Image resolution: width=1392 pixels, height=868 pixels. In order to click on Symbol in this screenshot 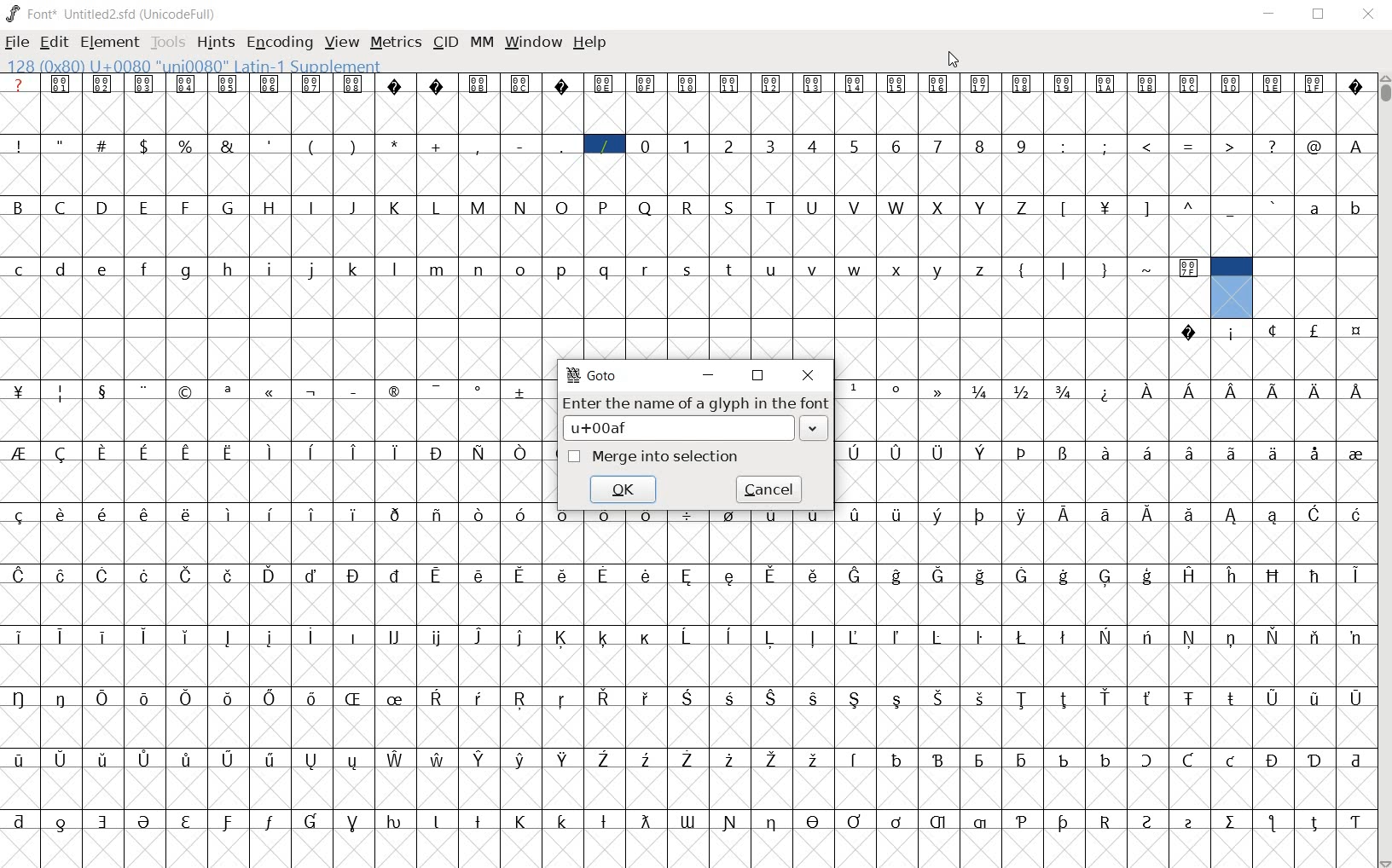, I will do `click(63, 819)`.